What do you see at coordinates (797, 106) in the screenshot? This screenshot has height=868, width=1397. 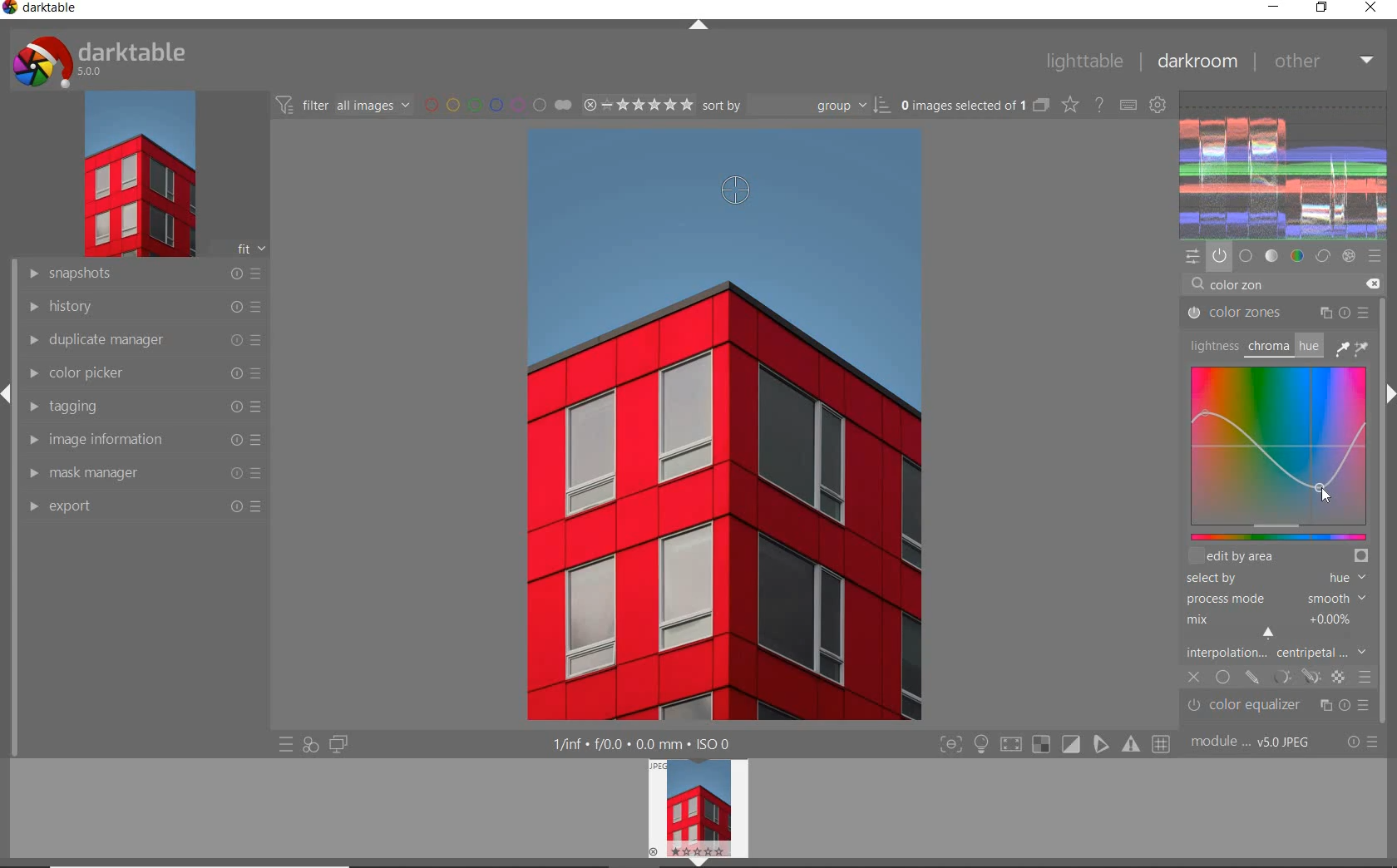 I see `Sort` at bounding box center [797, 106].